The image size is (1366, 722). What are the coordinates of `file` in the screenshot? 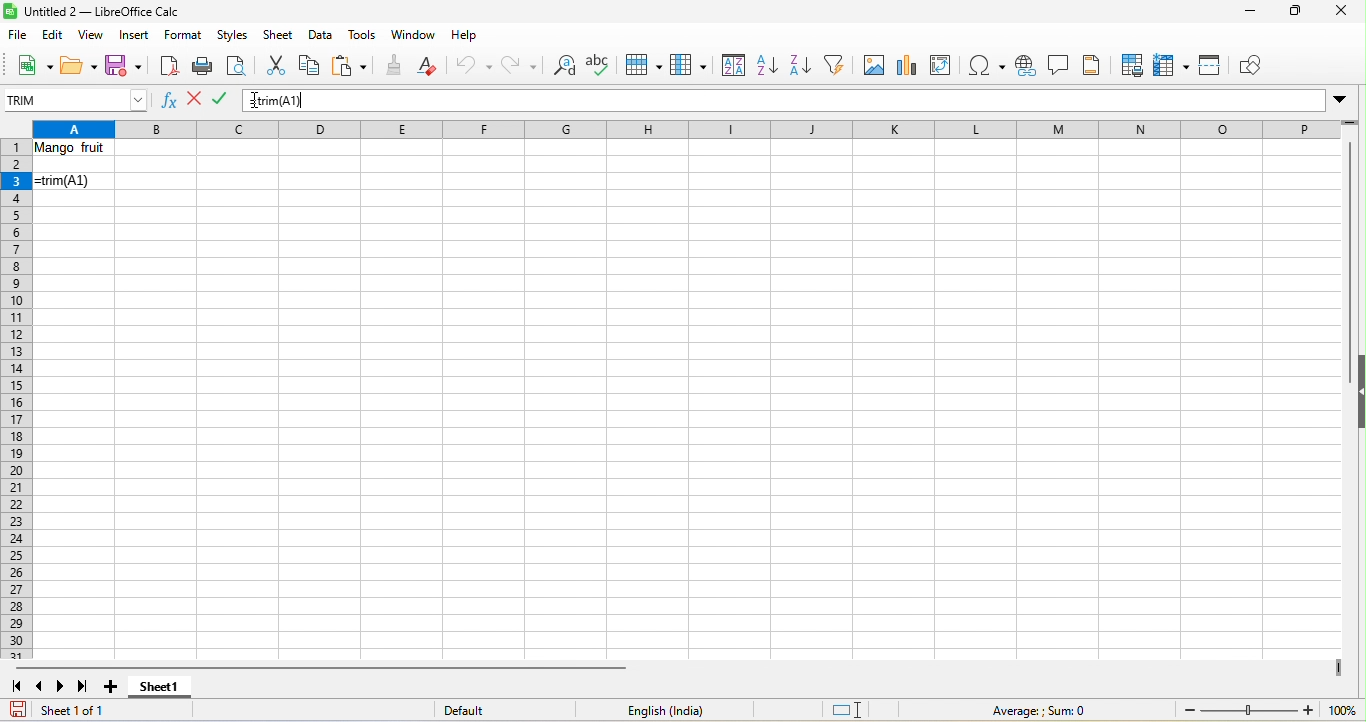 It's located at (19, 34).